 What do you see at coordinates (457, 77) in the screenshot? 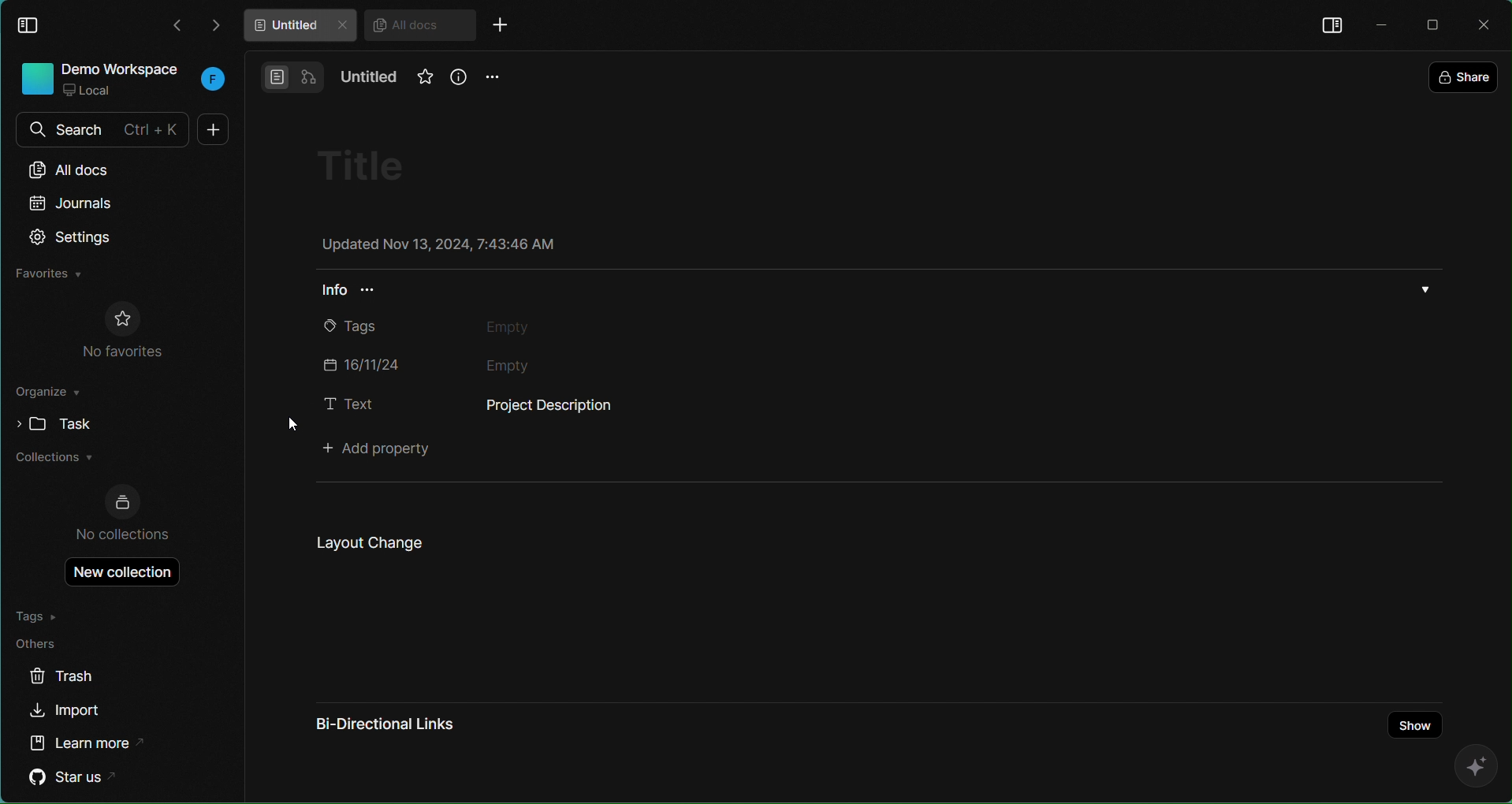
I see `info` at bounding box center [457, 77].